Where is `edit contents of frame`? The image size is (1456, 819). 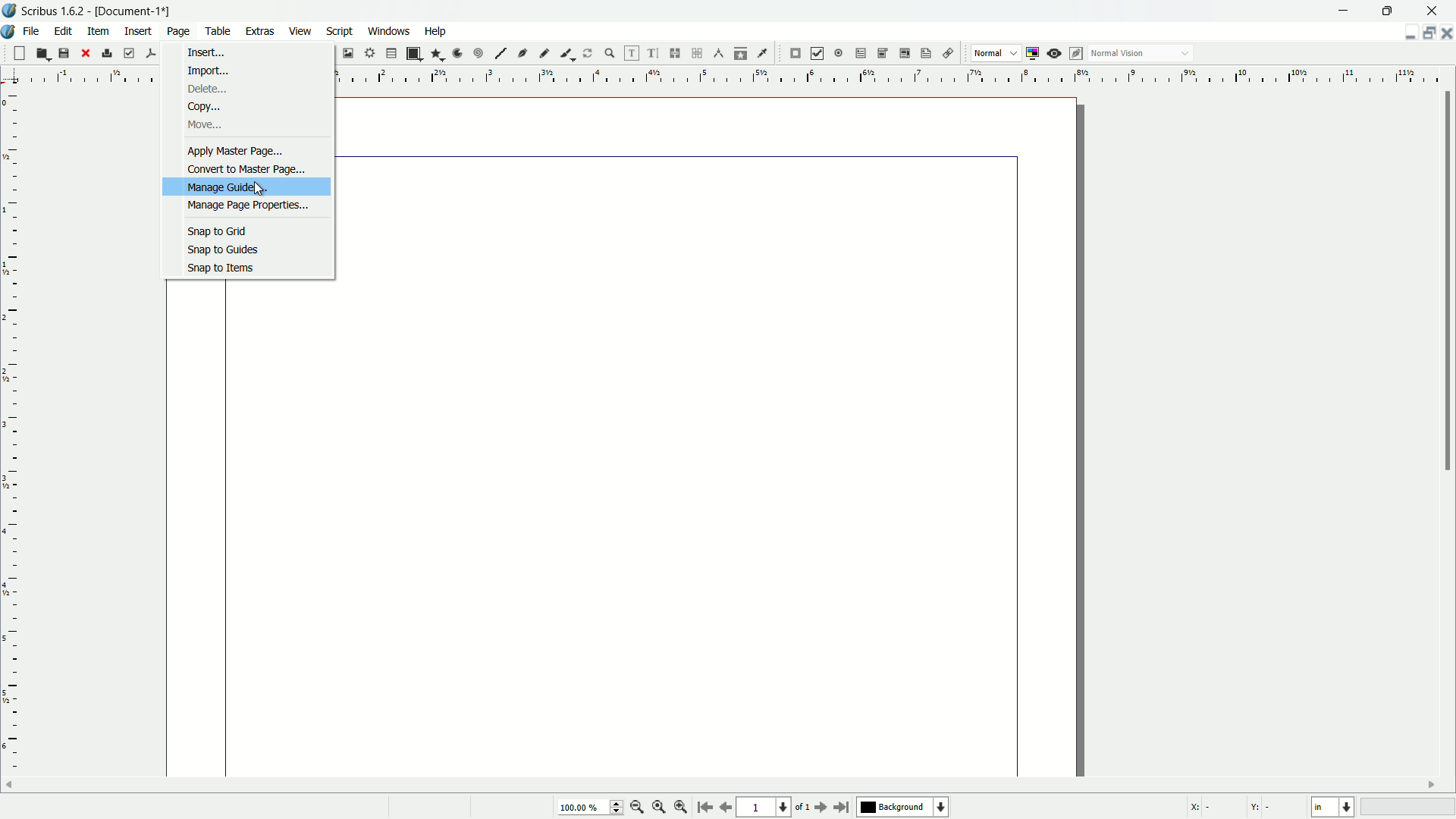
edit contents of frame is located at coordinates (629, 53).